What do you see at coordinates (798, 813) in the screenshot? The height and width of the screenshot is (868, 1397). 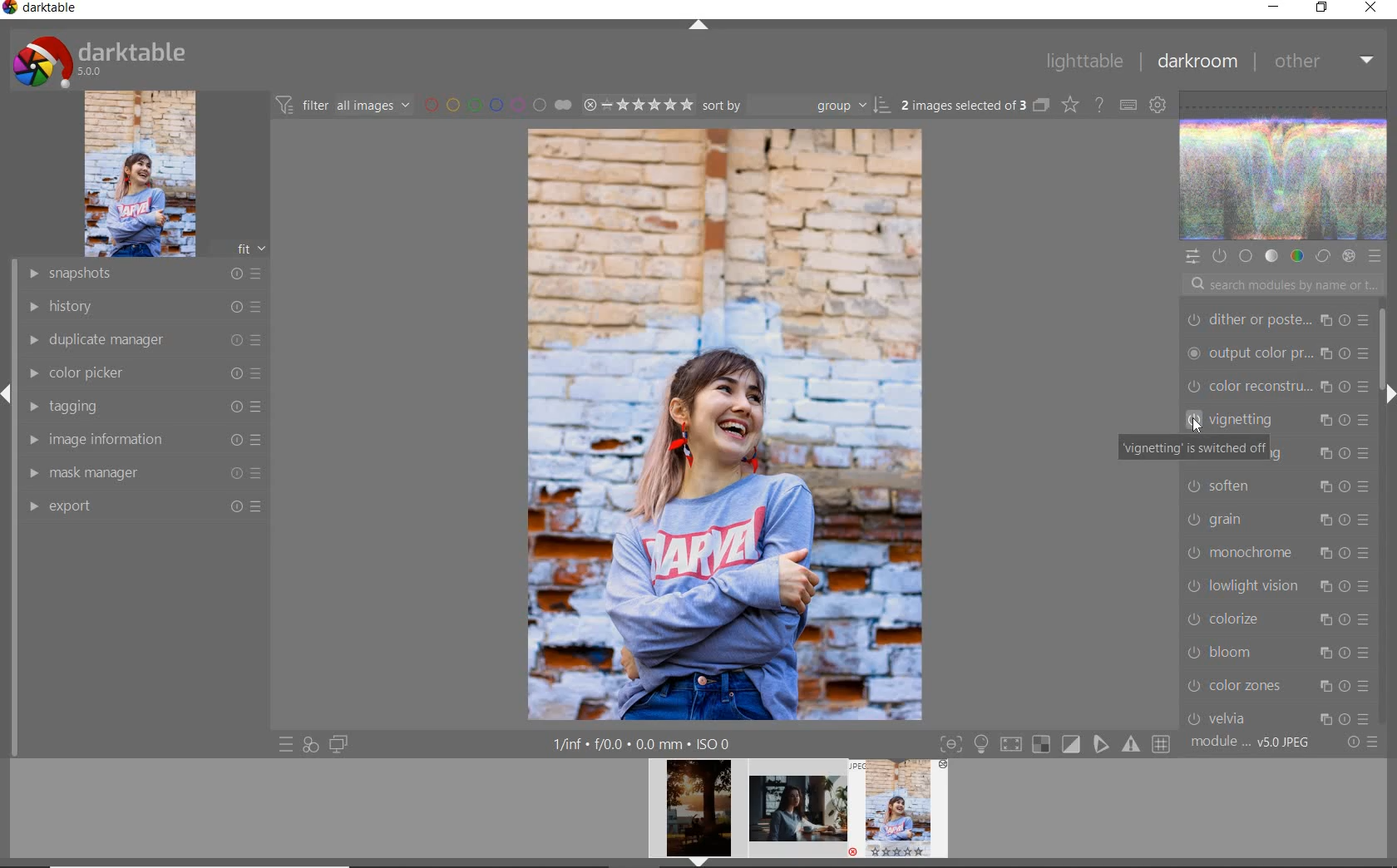 I see `image preview` at bounding box center [798, 813].